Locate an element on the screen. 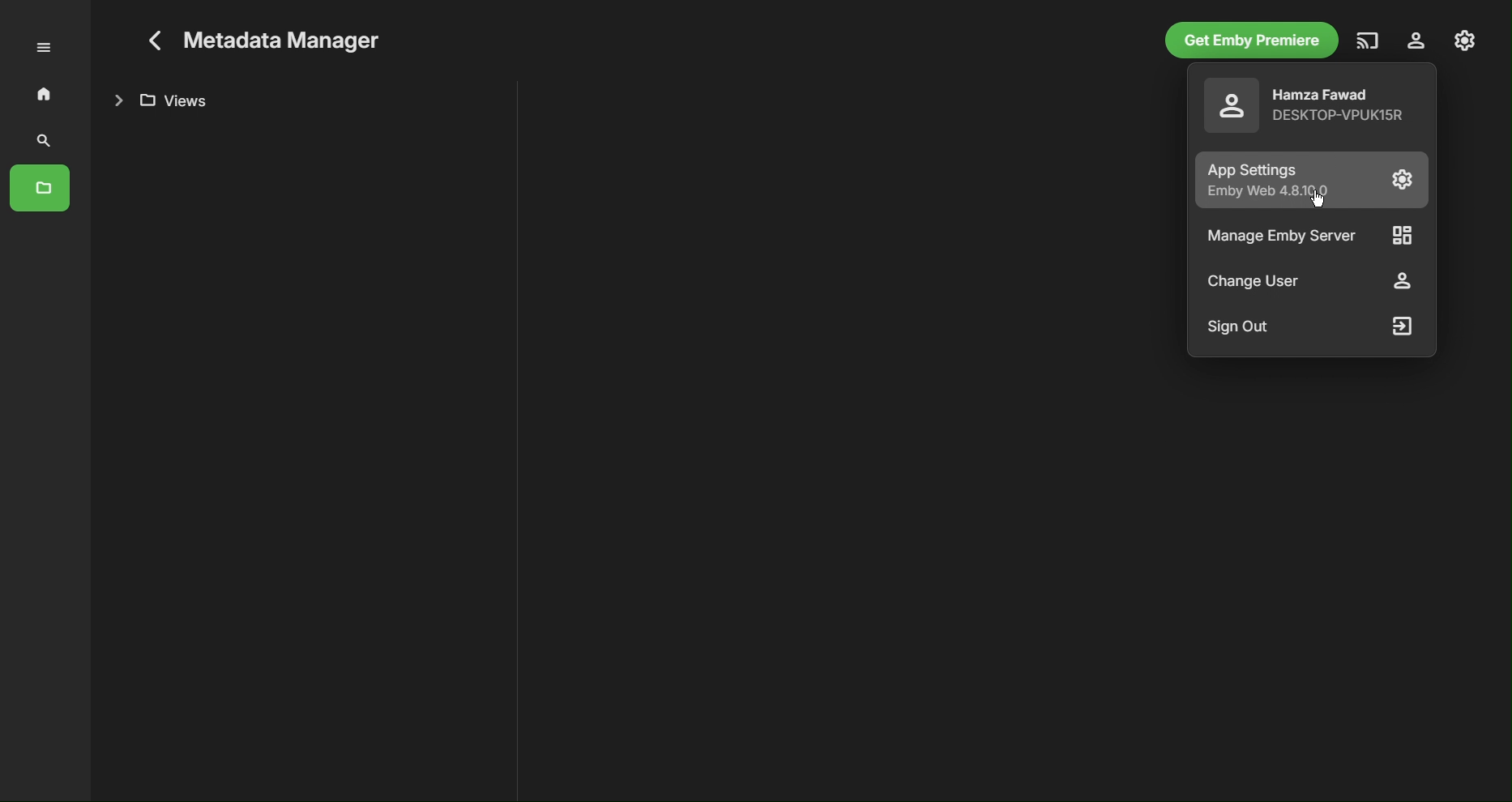  More is located at coordinates (53, 46).